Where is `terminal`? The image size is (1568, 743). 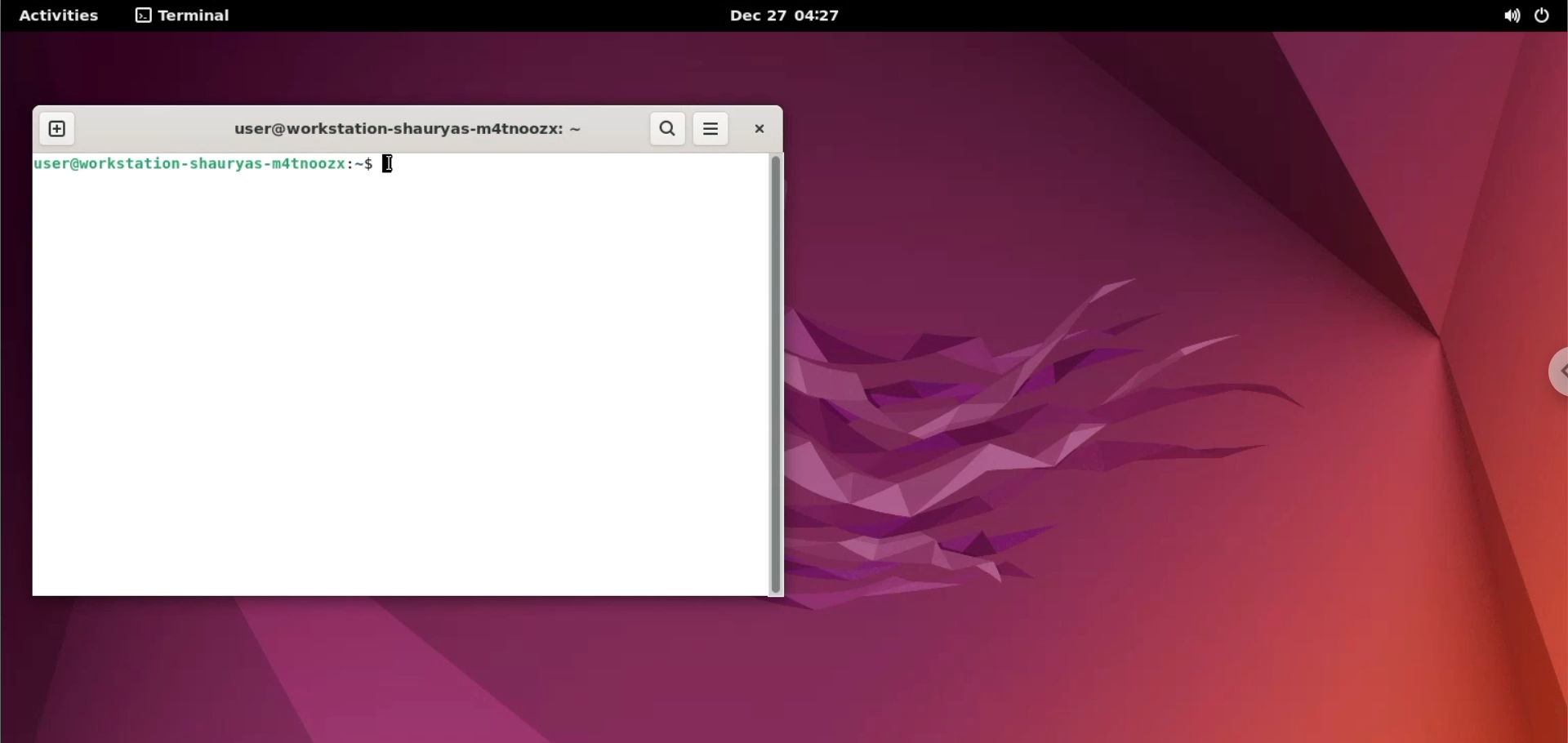 terminal is located at coordinates (184, 16).